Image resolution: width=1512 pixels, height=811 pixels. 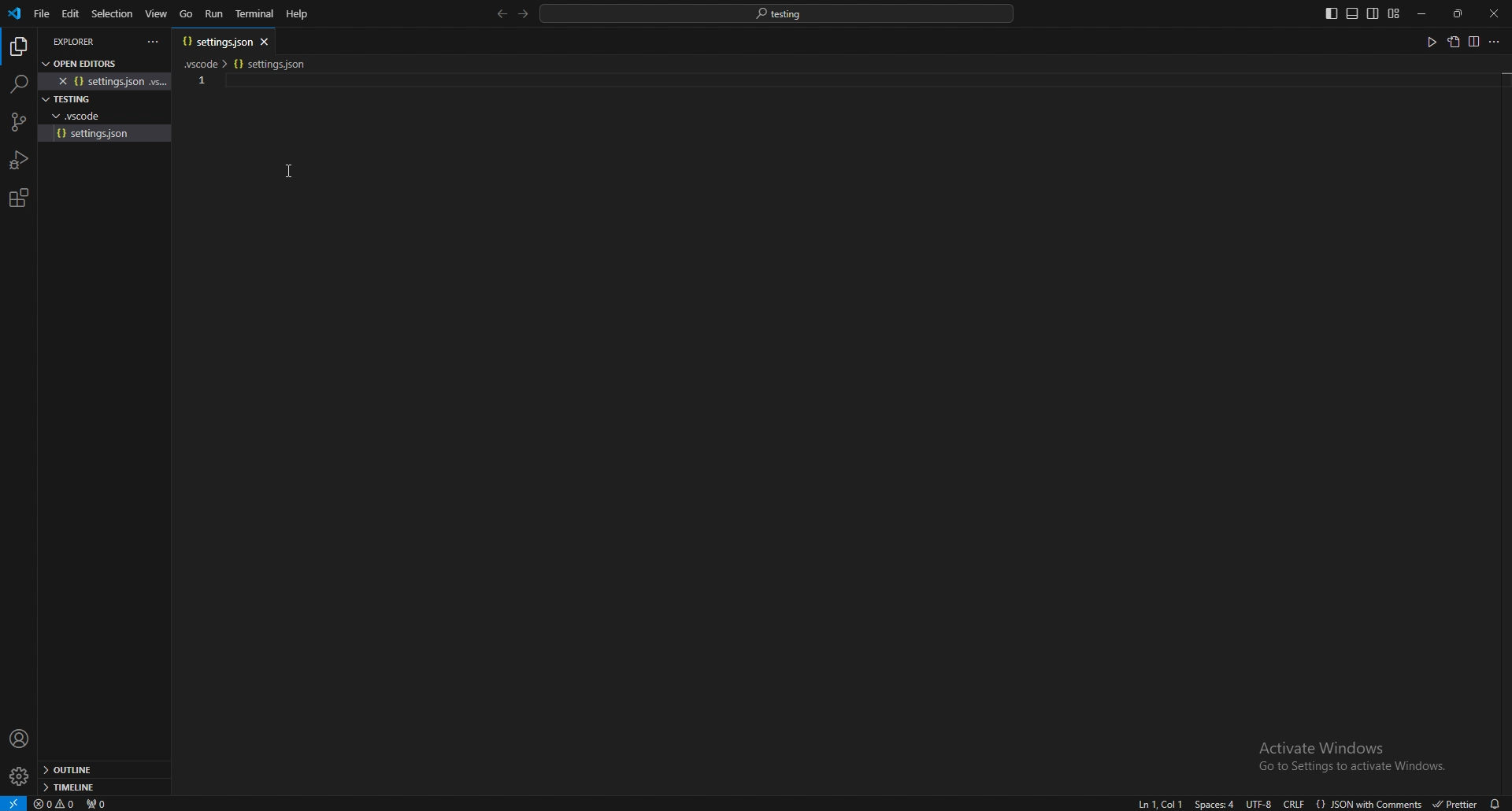 I want to click on activate windows, so click(x=1353, y=749).